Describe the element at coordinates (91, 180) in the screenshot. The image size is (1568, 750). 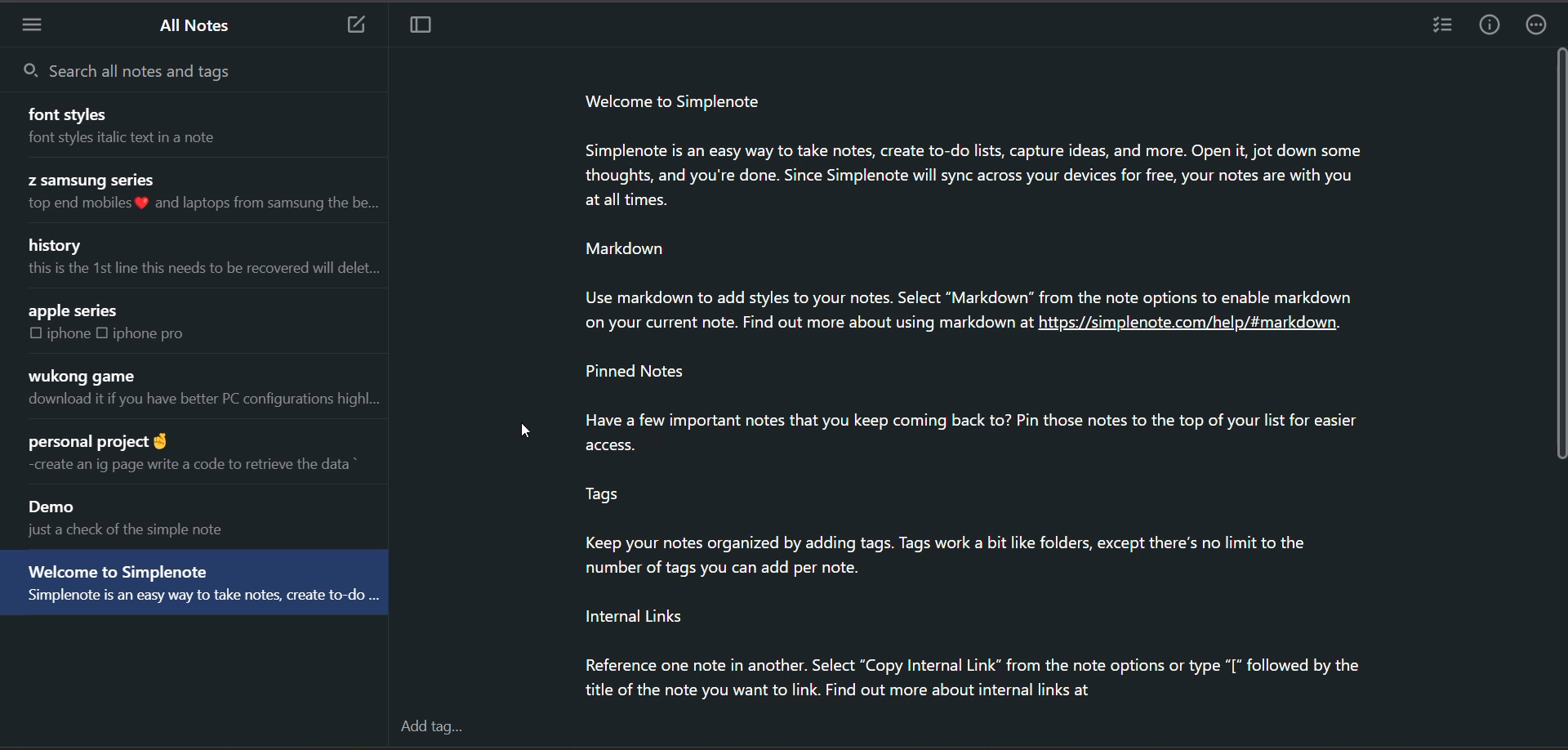
I see `Z samsung series` at that location.